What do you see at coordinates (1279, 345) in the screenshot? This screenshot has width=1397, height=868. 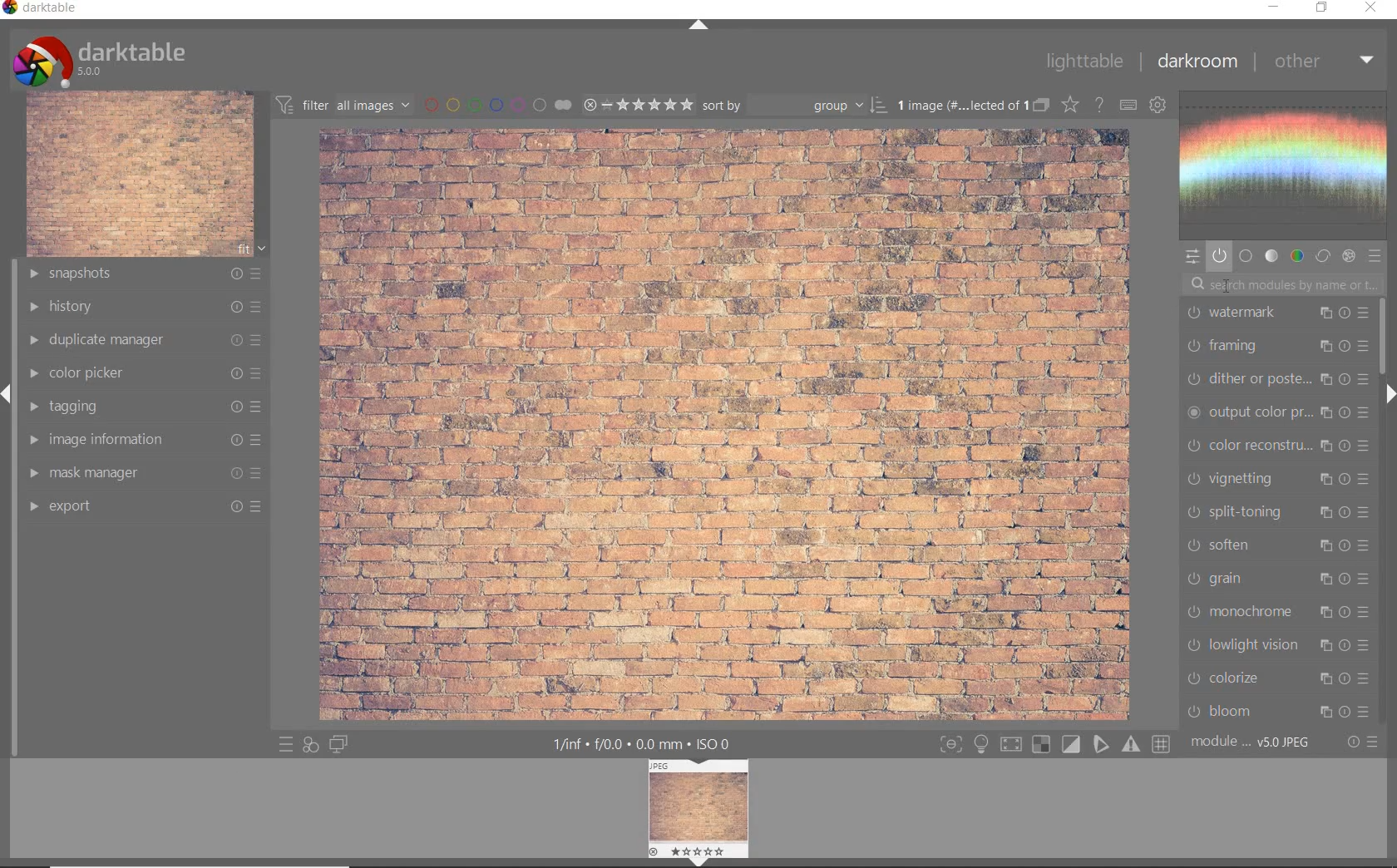 I see `framing` at bounding box center [1279, 345].